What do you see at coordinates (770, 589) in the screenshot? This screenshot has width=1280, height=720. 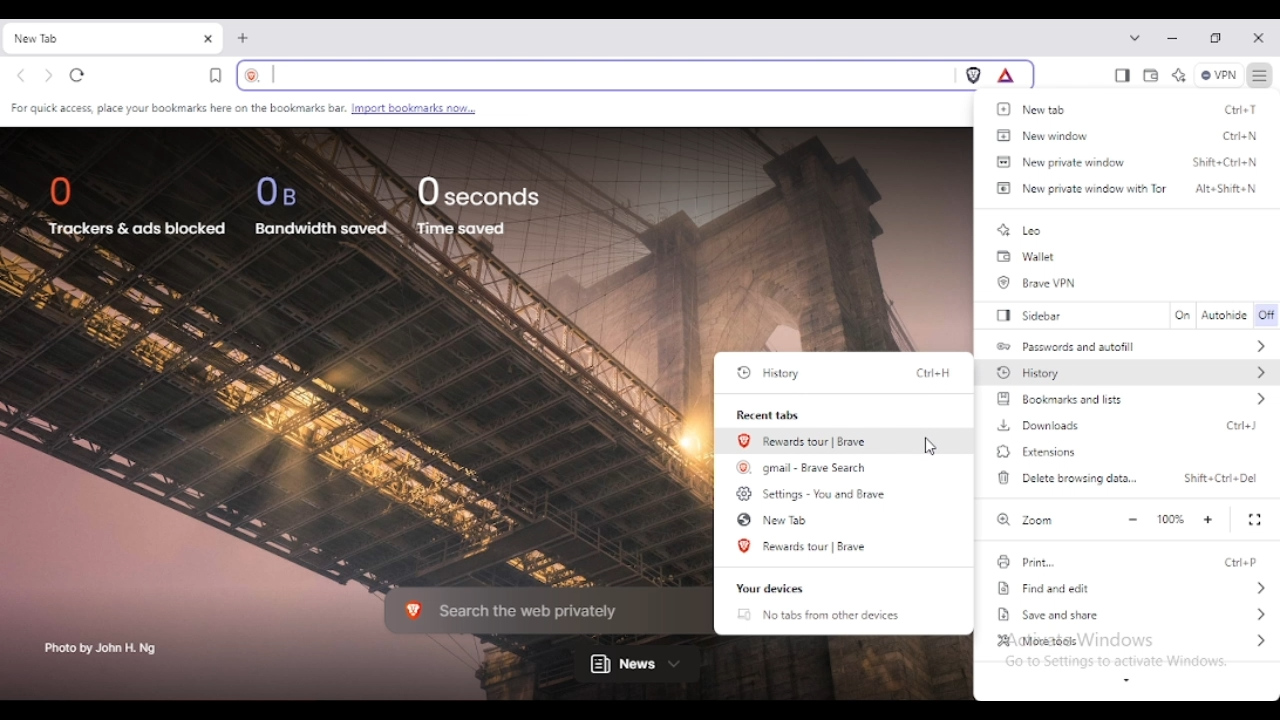 I see `your devices` at bounding box center [770, 589].